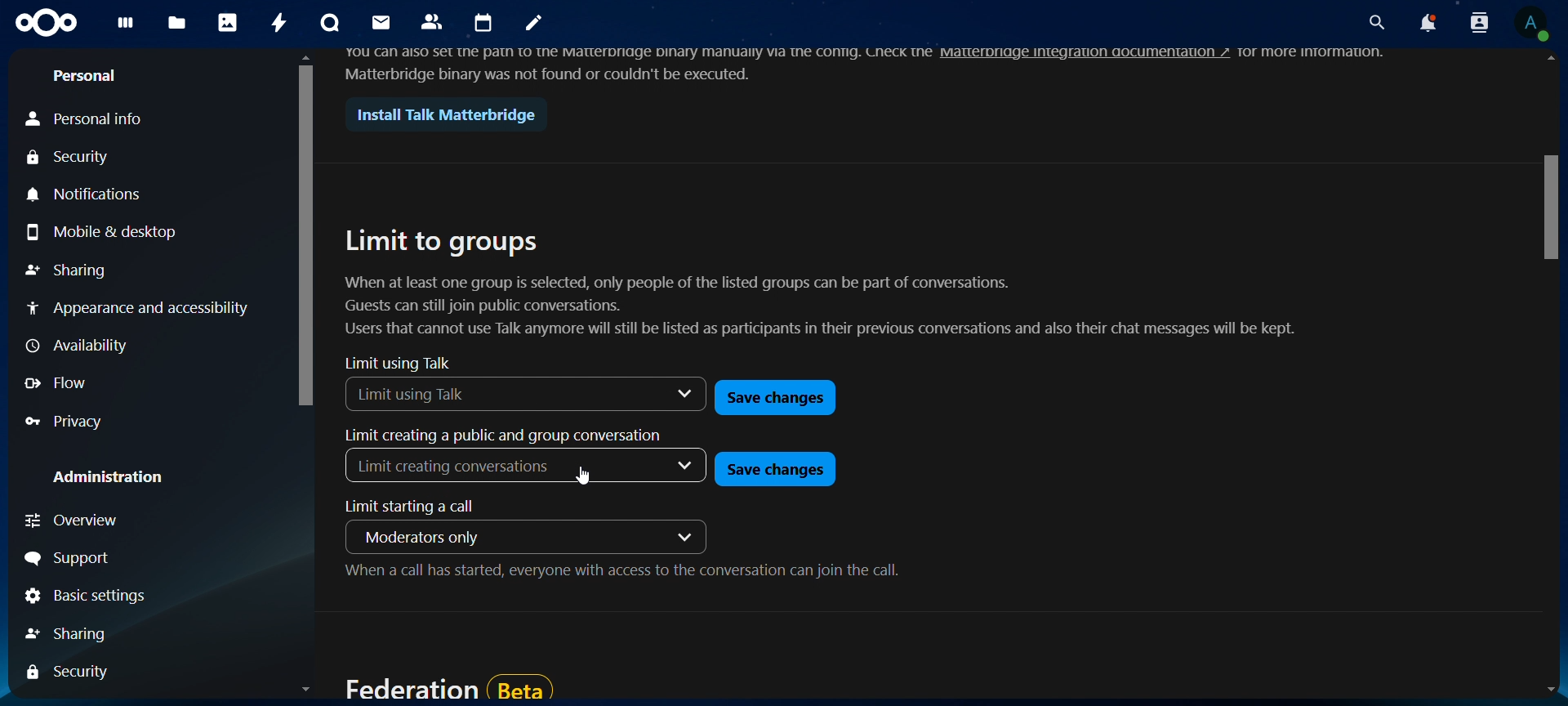  What do you see at coordinates (90, 115) in the screenshot?
I see `Personal info` at bounding box center [90, 115].